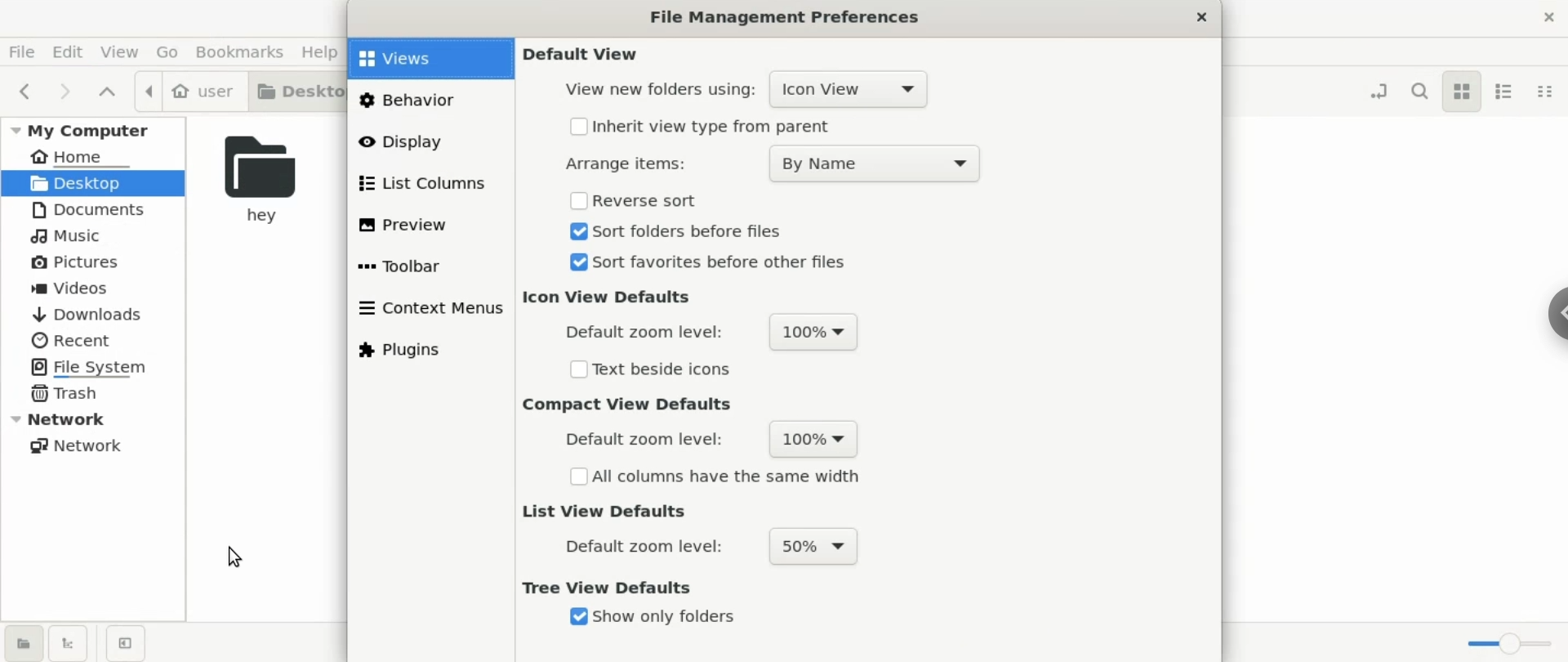 The height and width of the screenshot is (662, 1568). I want to click on show places, so click(21, 644).